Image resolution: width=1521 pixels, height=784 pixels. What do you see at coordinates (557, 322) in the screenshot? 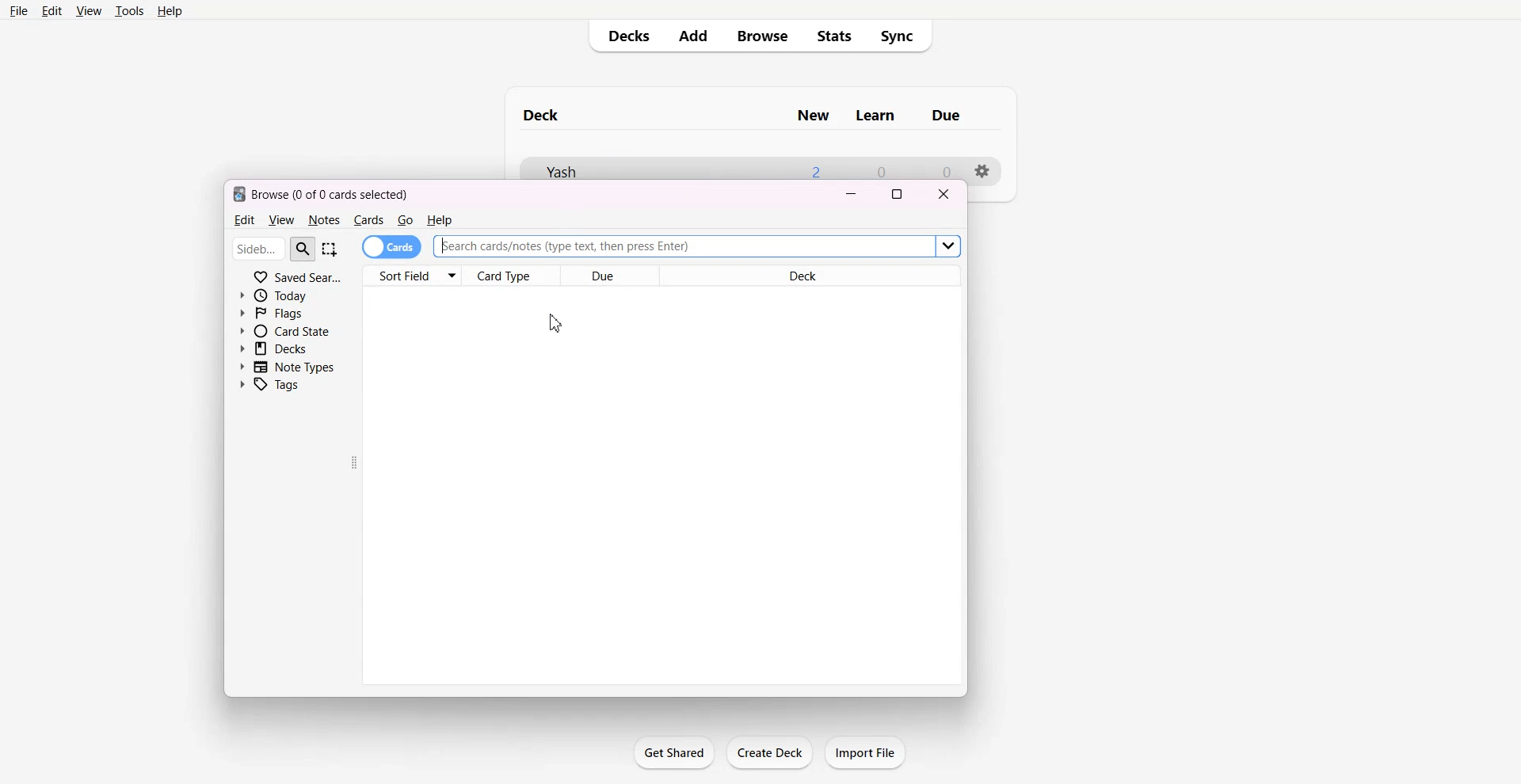
I see `Cursor` at bounding box center [557, 322].